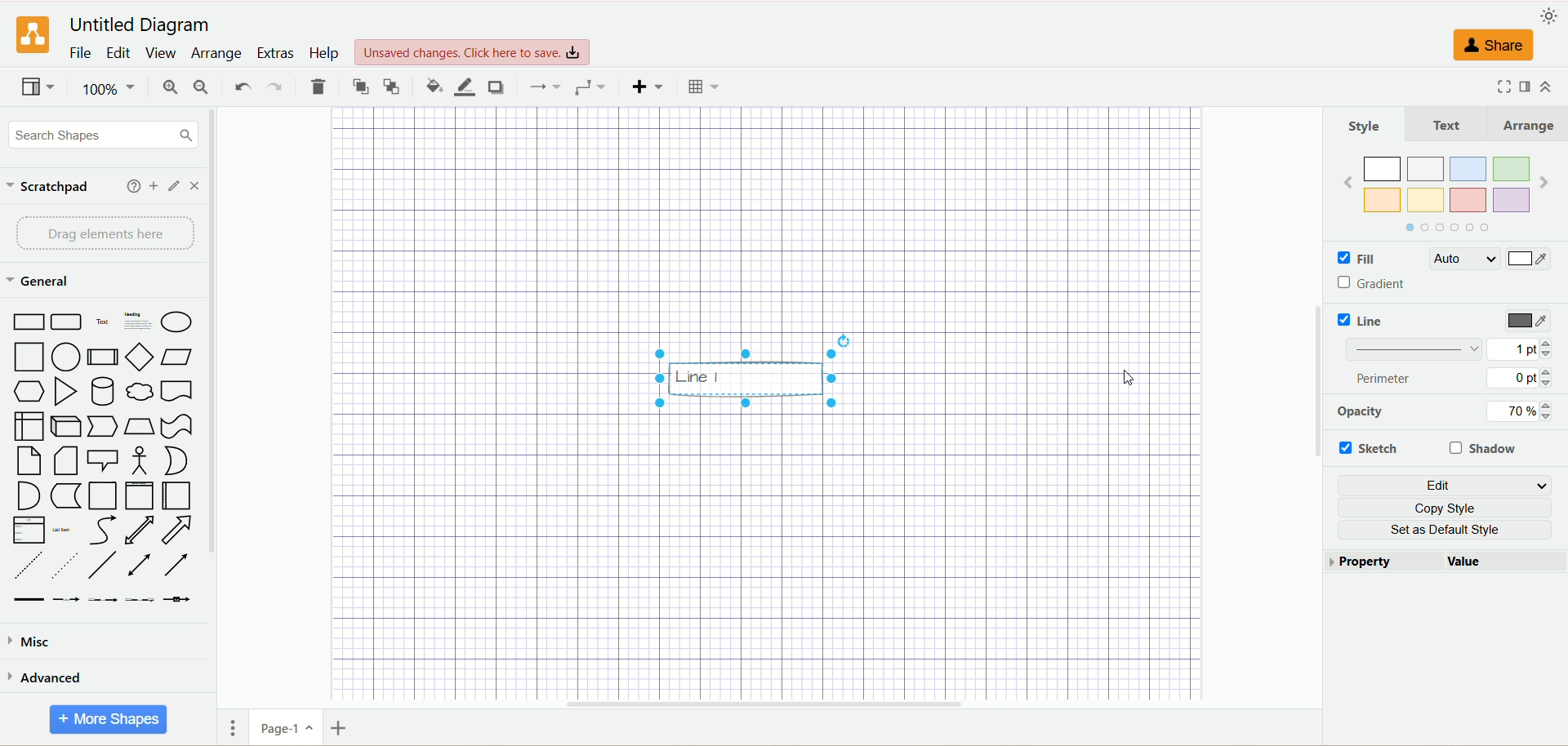 This screenshot has height=746, width=1568. Describe the element at coordinates (1372, 322) in the screenshot. I see `Line` at that location.